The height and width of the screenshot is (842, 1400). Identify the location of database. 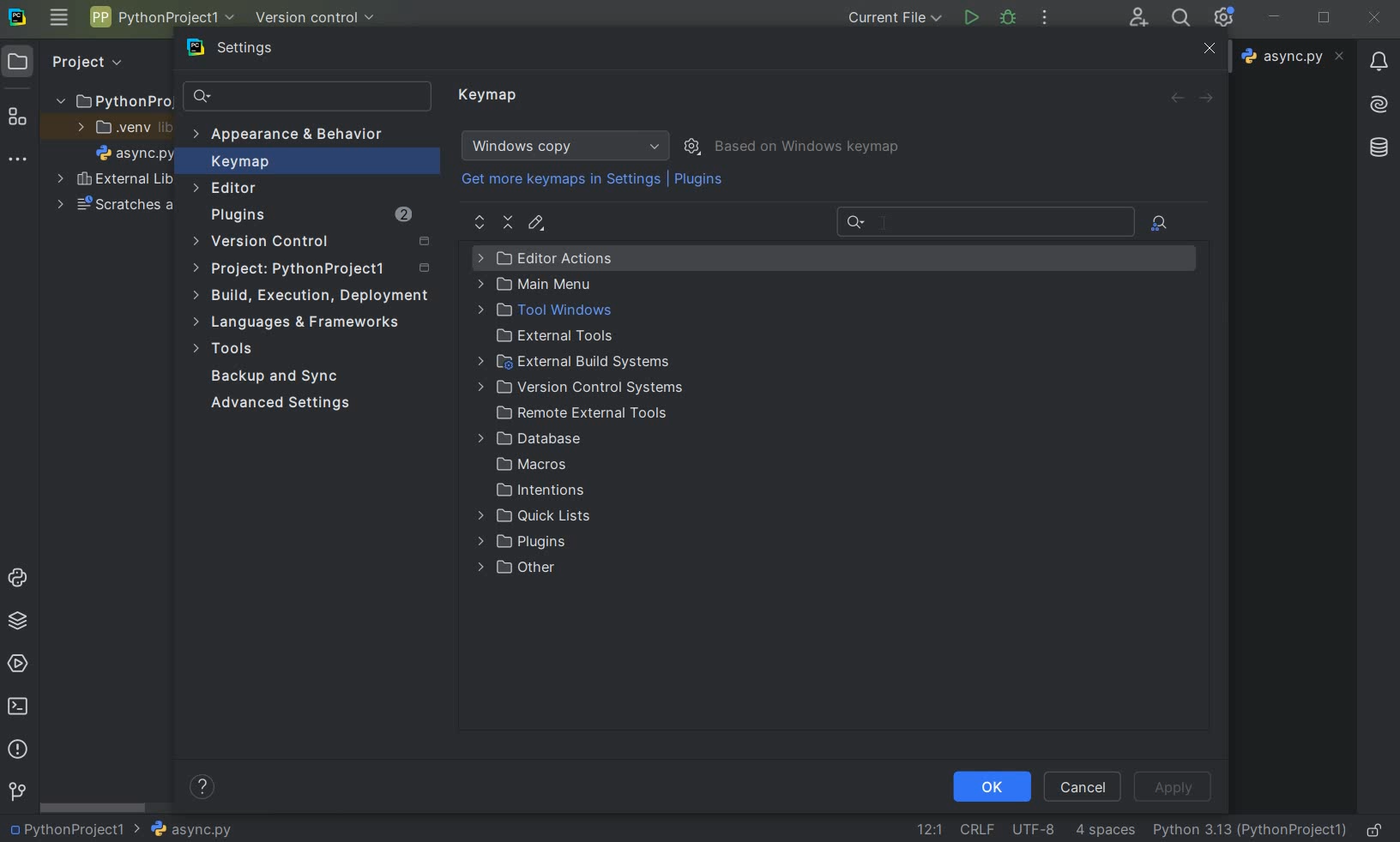
(1381, 145).